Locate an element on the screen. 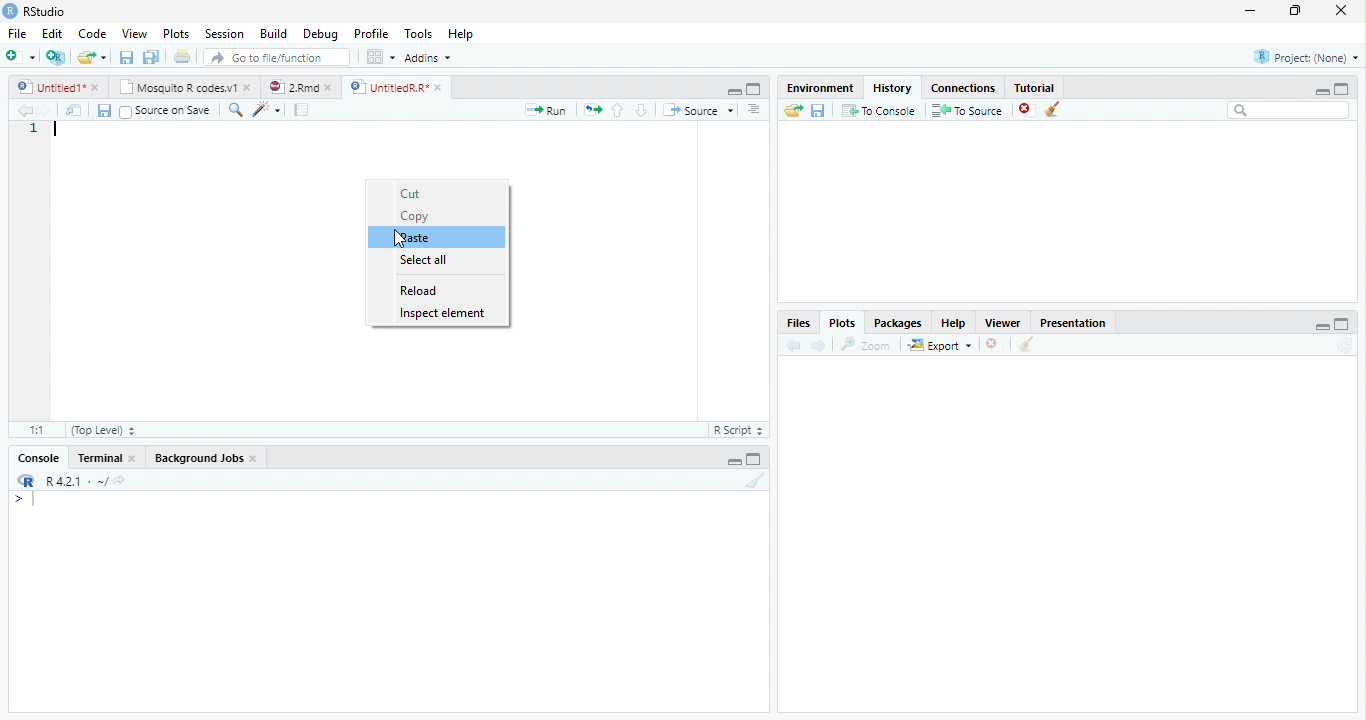 The height and width of the screenshot is (720, 1366). > is located at coordinates (24, 500).